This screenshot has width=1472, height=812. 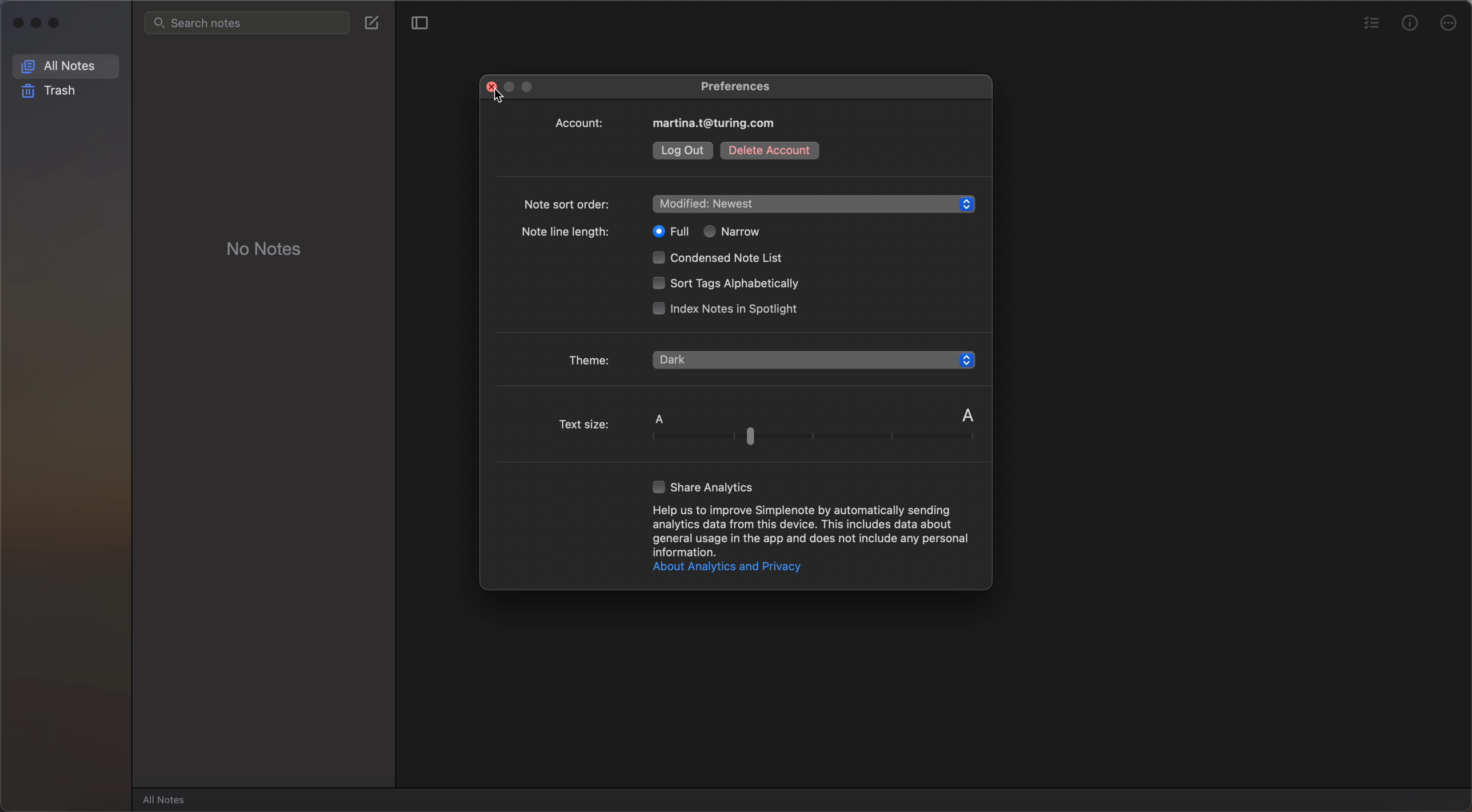 What do you see at coordinates (51, 91) in the screenshot?
I see `trash` at bounding box center [51, 91].